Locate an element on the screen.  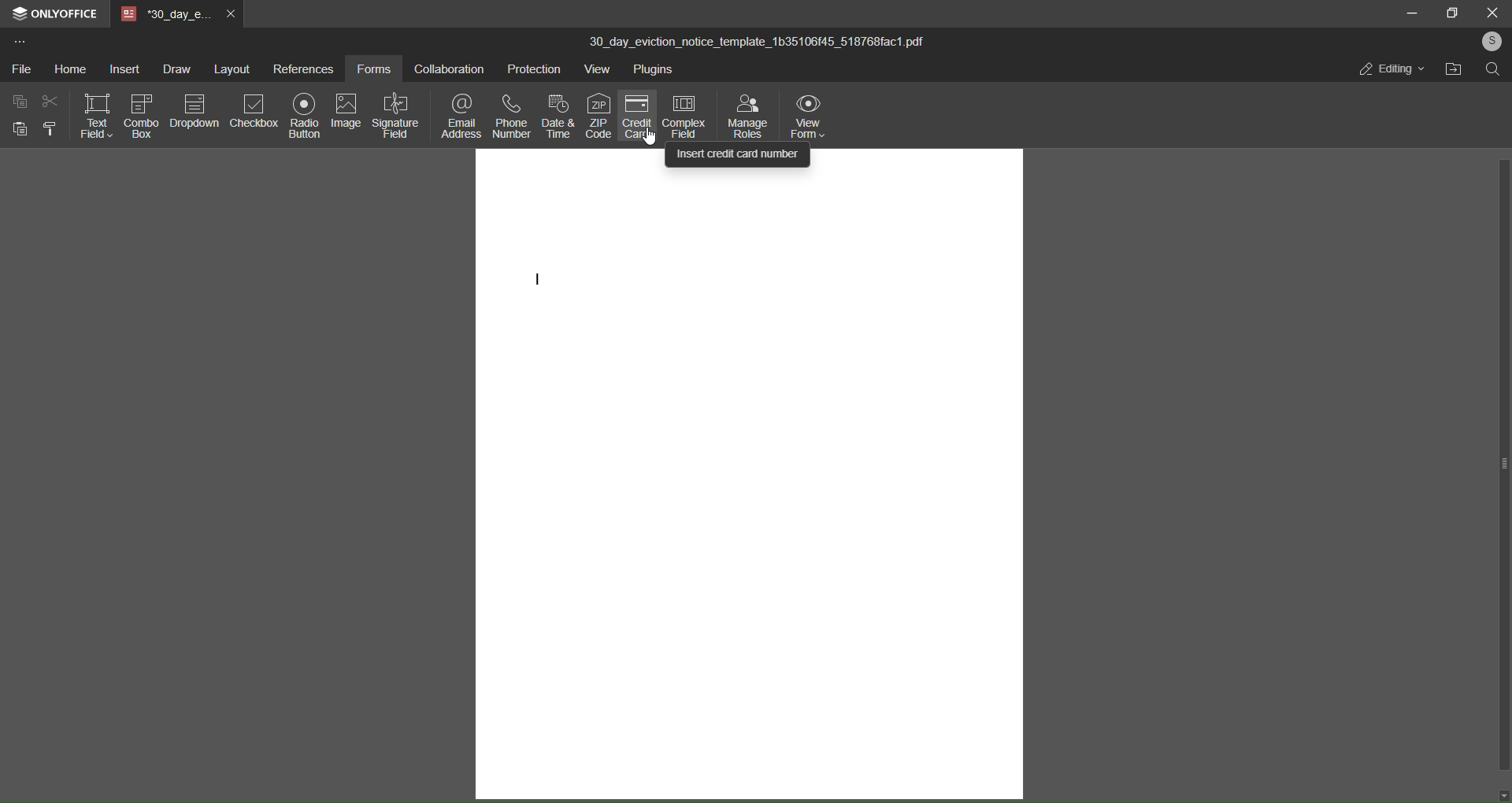
phone number is located at coordinates (510, 116).